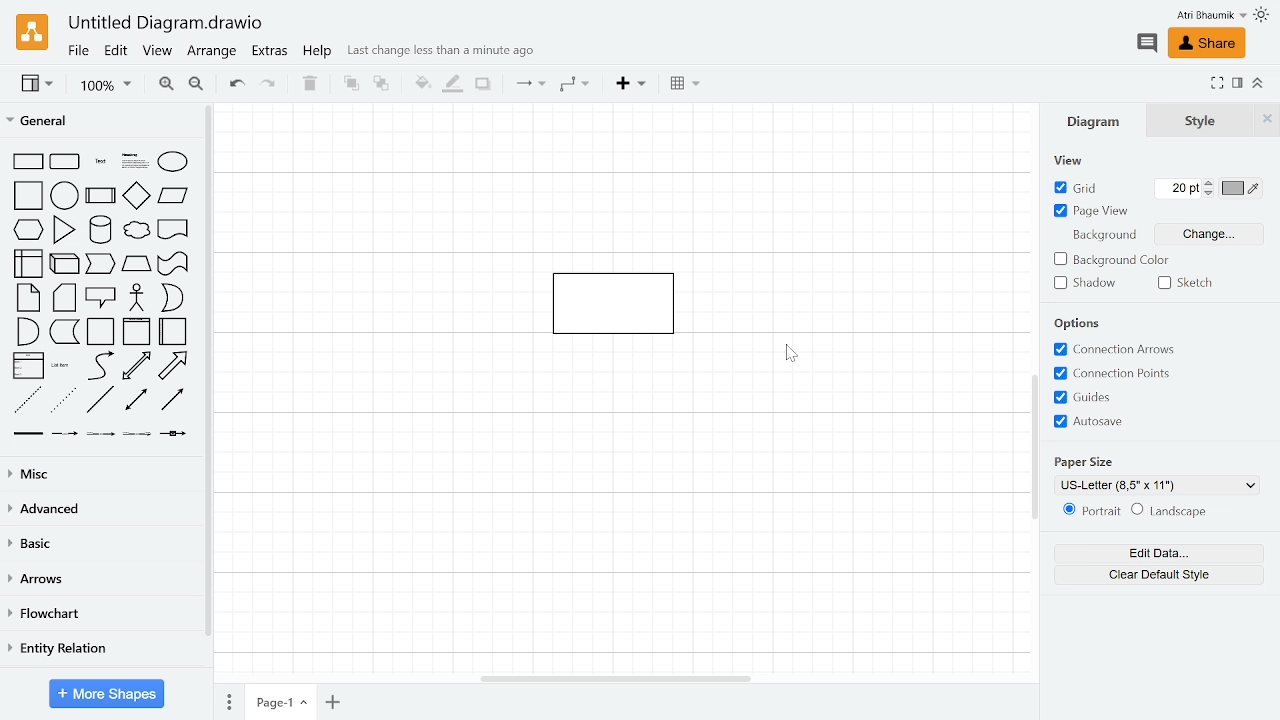 The width and height of the screenshot is (1280, 720). I want to click on Autosave, so click(1122, 423).